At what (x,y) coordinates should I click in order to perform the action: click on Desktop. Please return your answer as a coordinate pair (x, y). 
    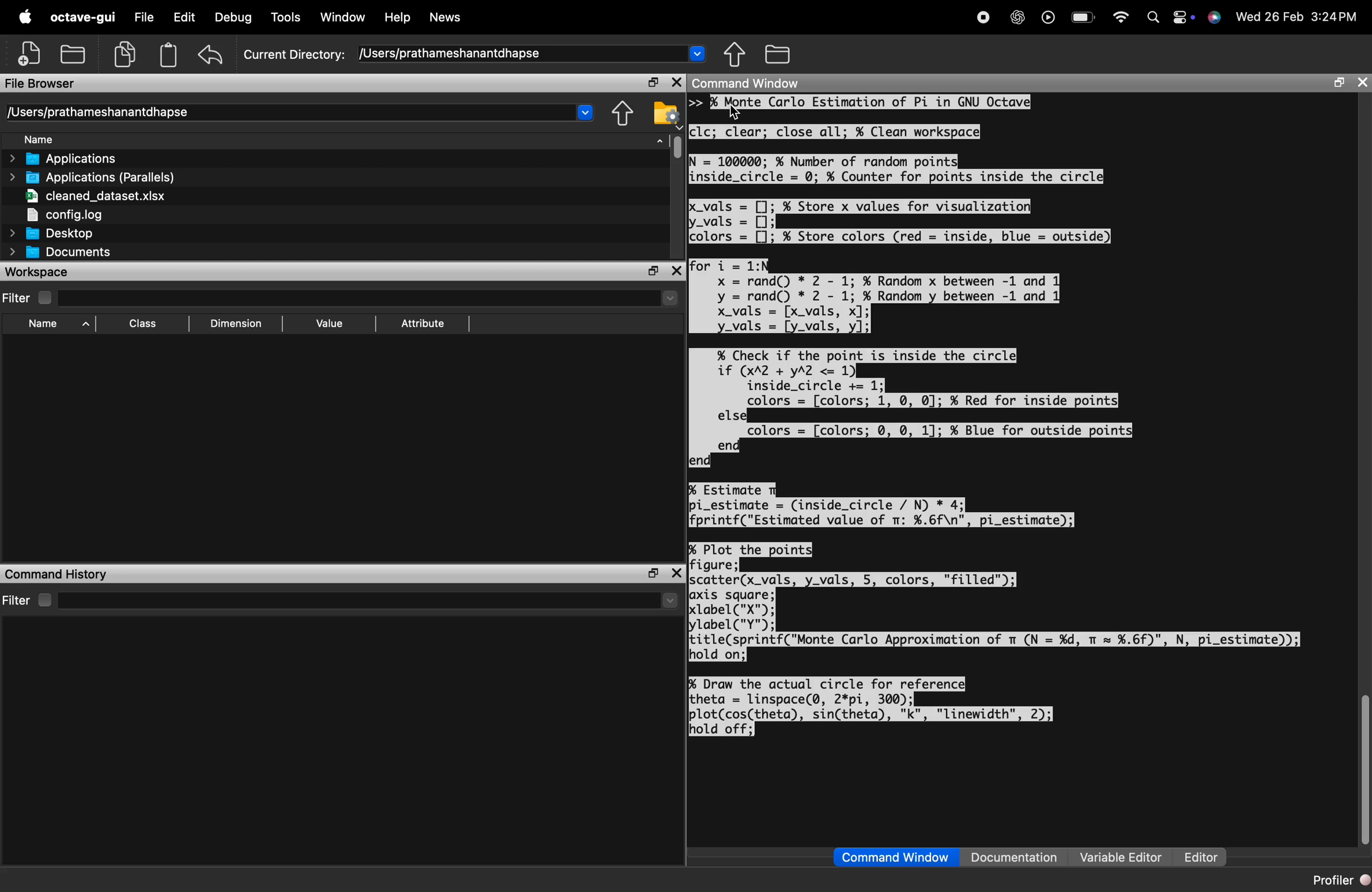
    Looking at the image, I should click on (52, 233).